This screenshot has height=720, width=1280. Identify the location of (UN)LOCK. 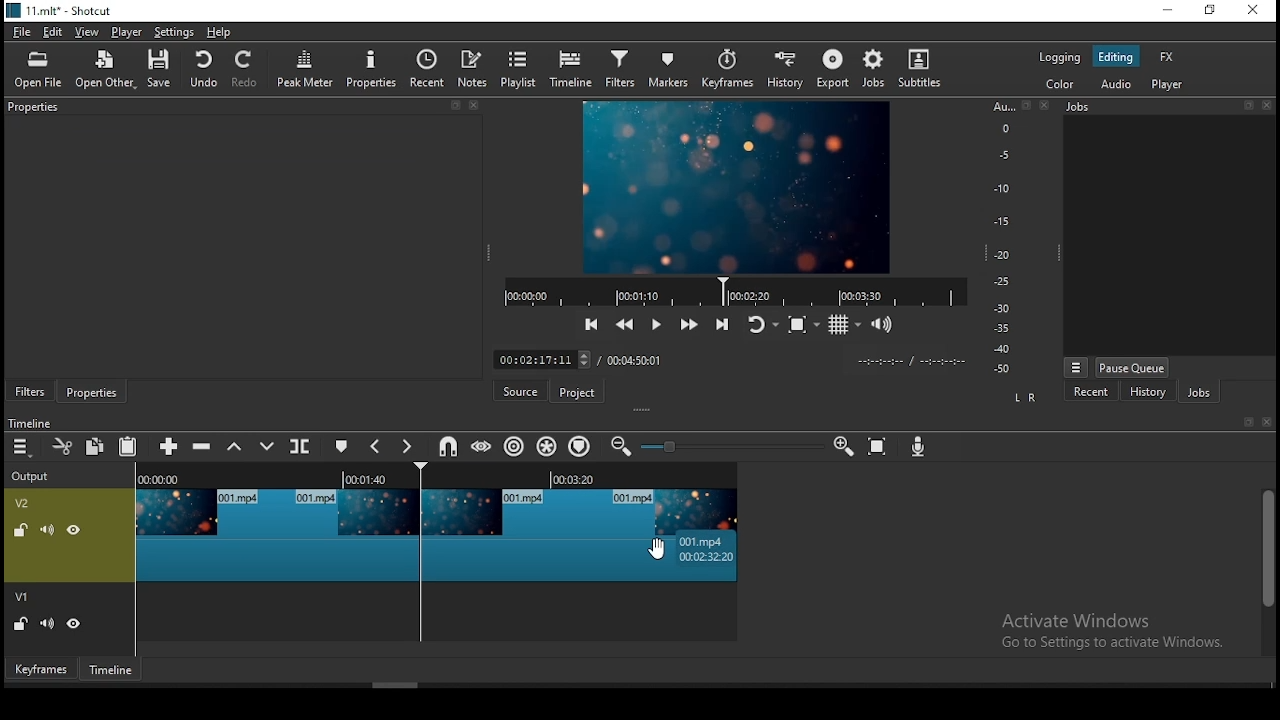
(17, 528).